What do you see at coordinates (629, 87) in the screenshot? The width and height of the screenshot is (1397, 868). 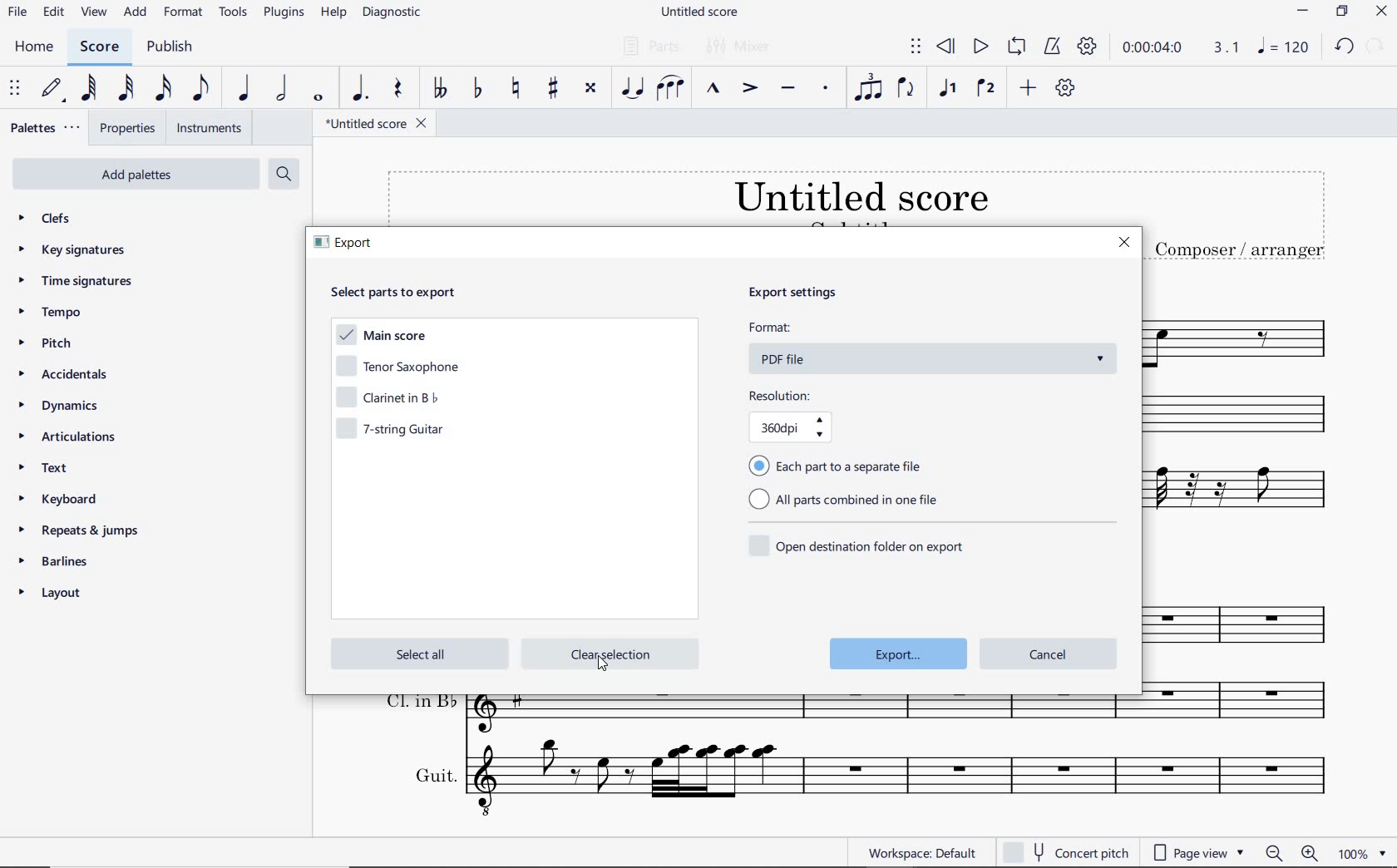 I see `TIE` at bounding box center [629, 87].